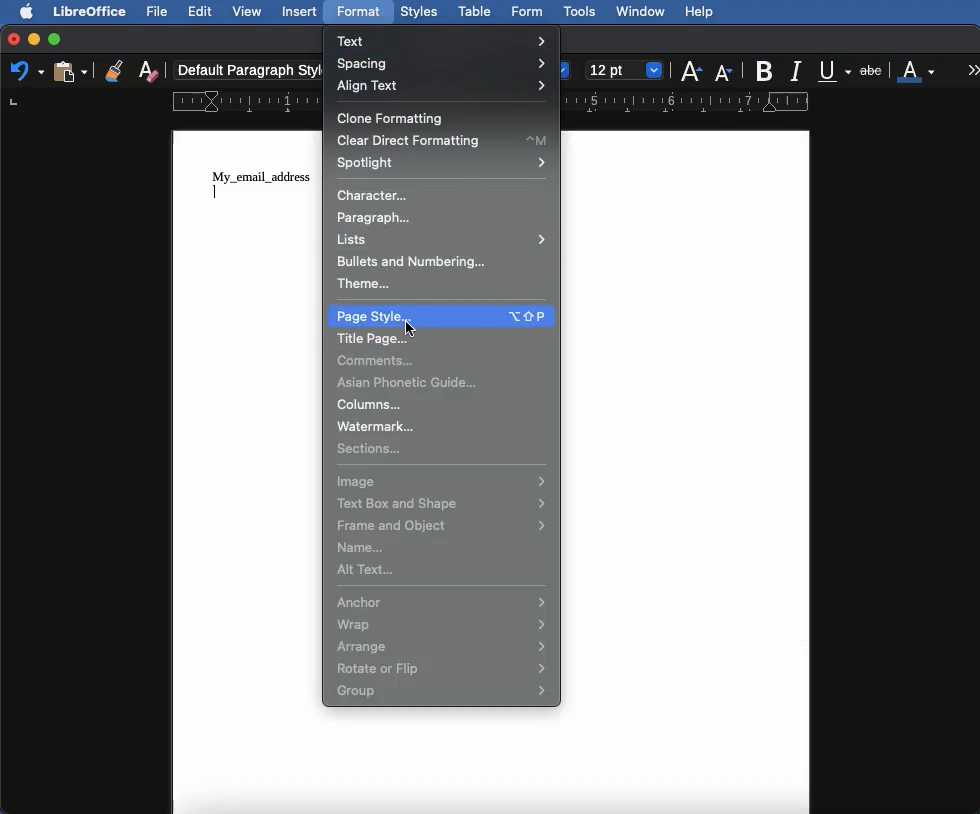  What do you see at coordinates (374, 405) in the screenshot?
I see `Columns` at bounding box center [374, 405].